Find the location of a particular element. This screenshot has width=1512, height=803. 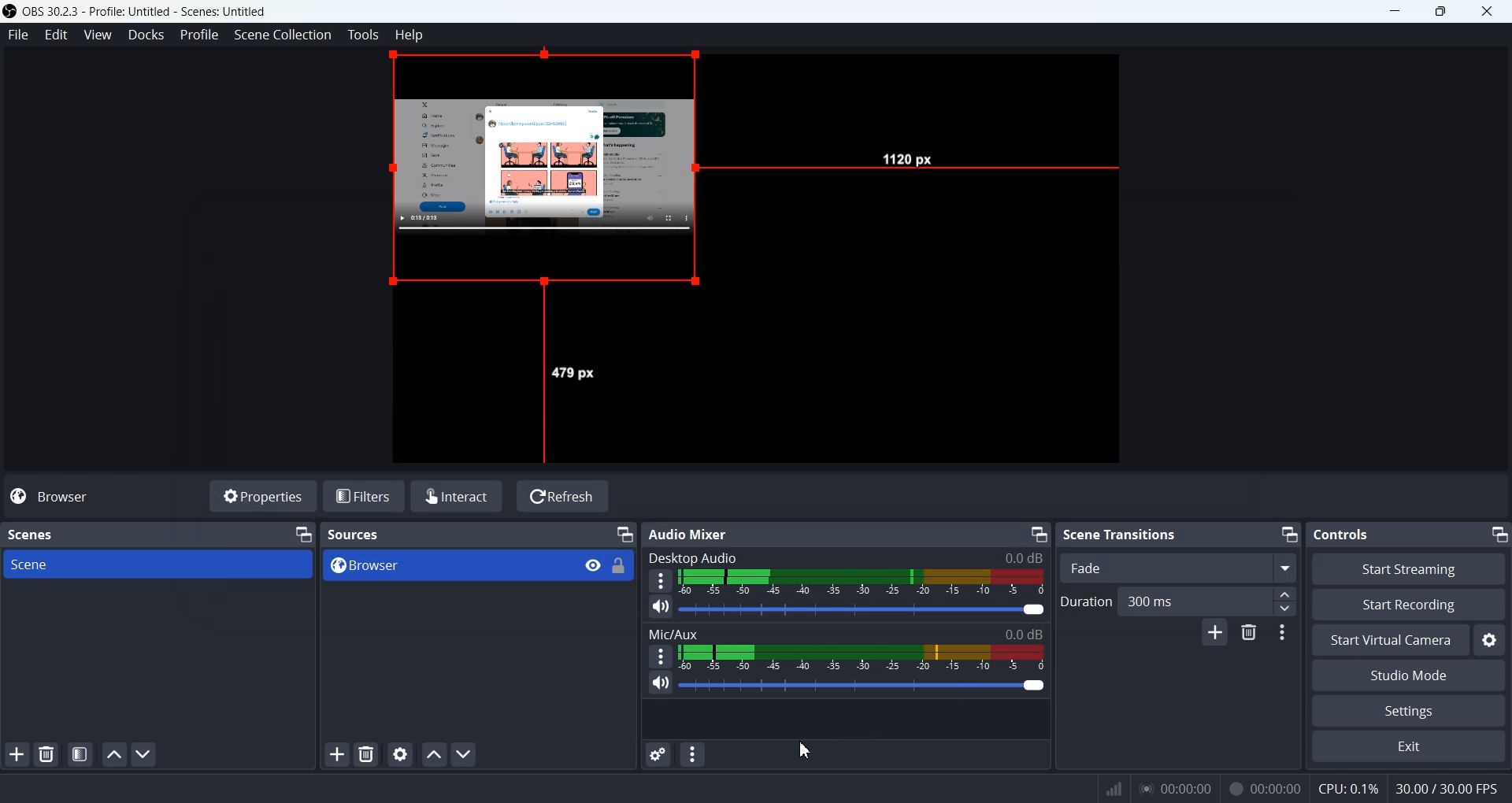

Minimize is located at coordinates (305, 534).